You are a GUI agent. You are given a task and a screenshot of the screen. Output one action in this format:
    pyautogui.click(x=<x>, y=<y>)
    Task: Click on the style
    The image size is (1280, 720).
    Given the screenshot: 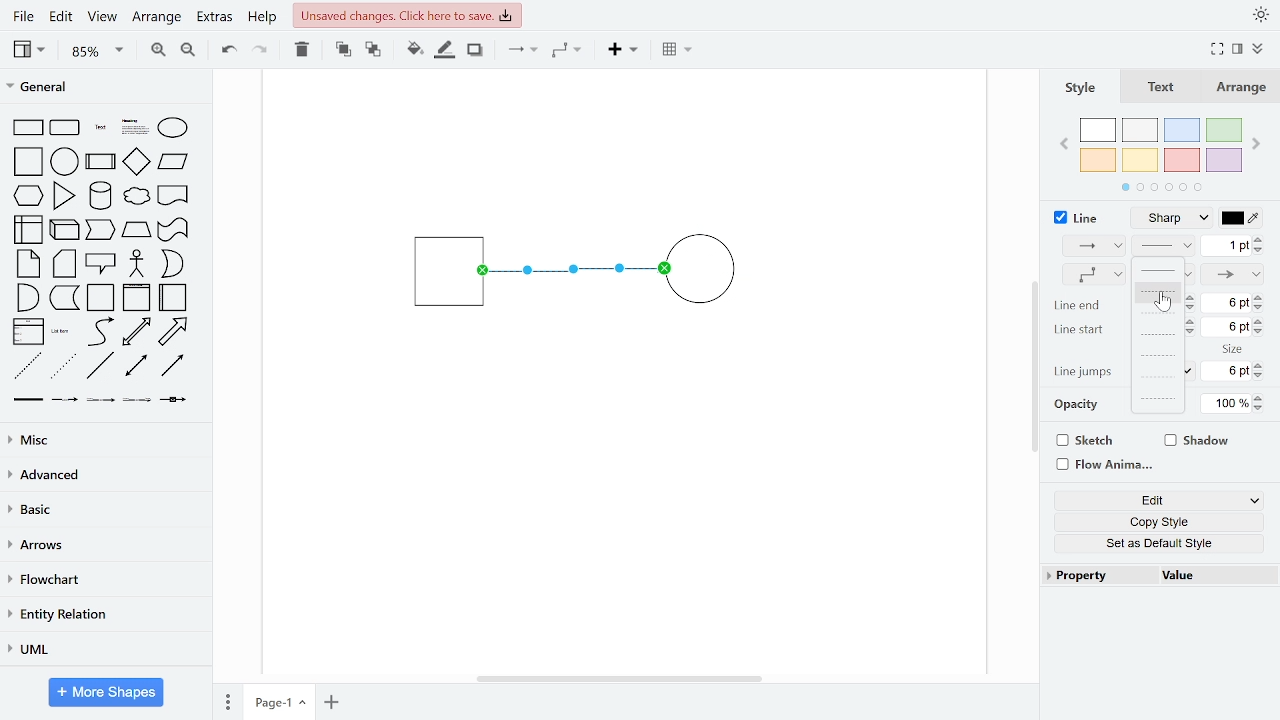 What is the action you would take?
    pyautogui.click(x=1081, y=89)
    